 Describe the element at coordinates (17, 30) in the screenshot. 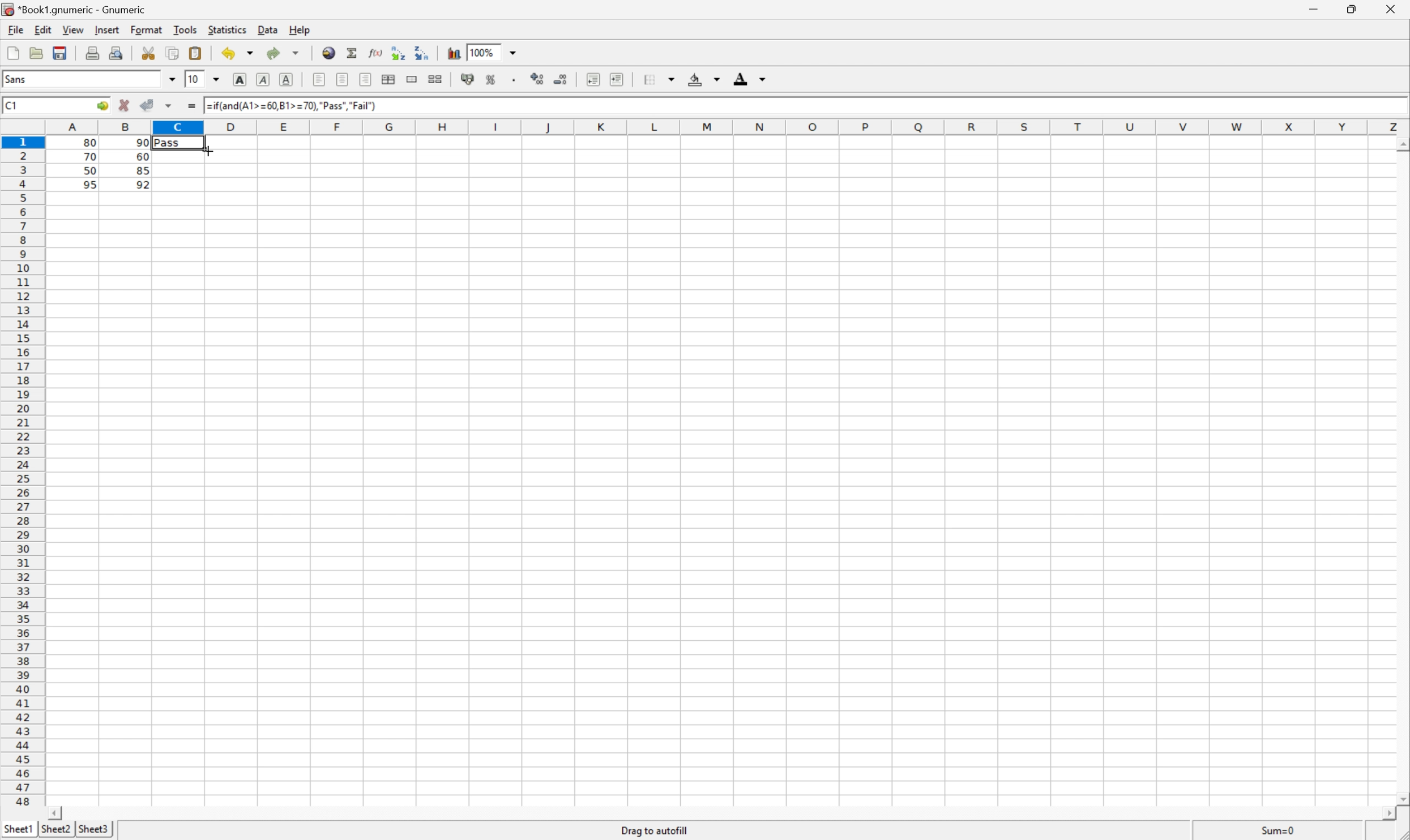

I see `File` at that location.